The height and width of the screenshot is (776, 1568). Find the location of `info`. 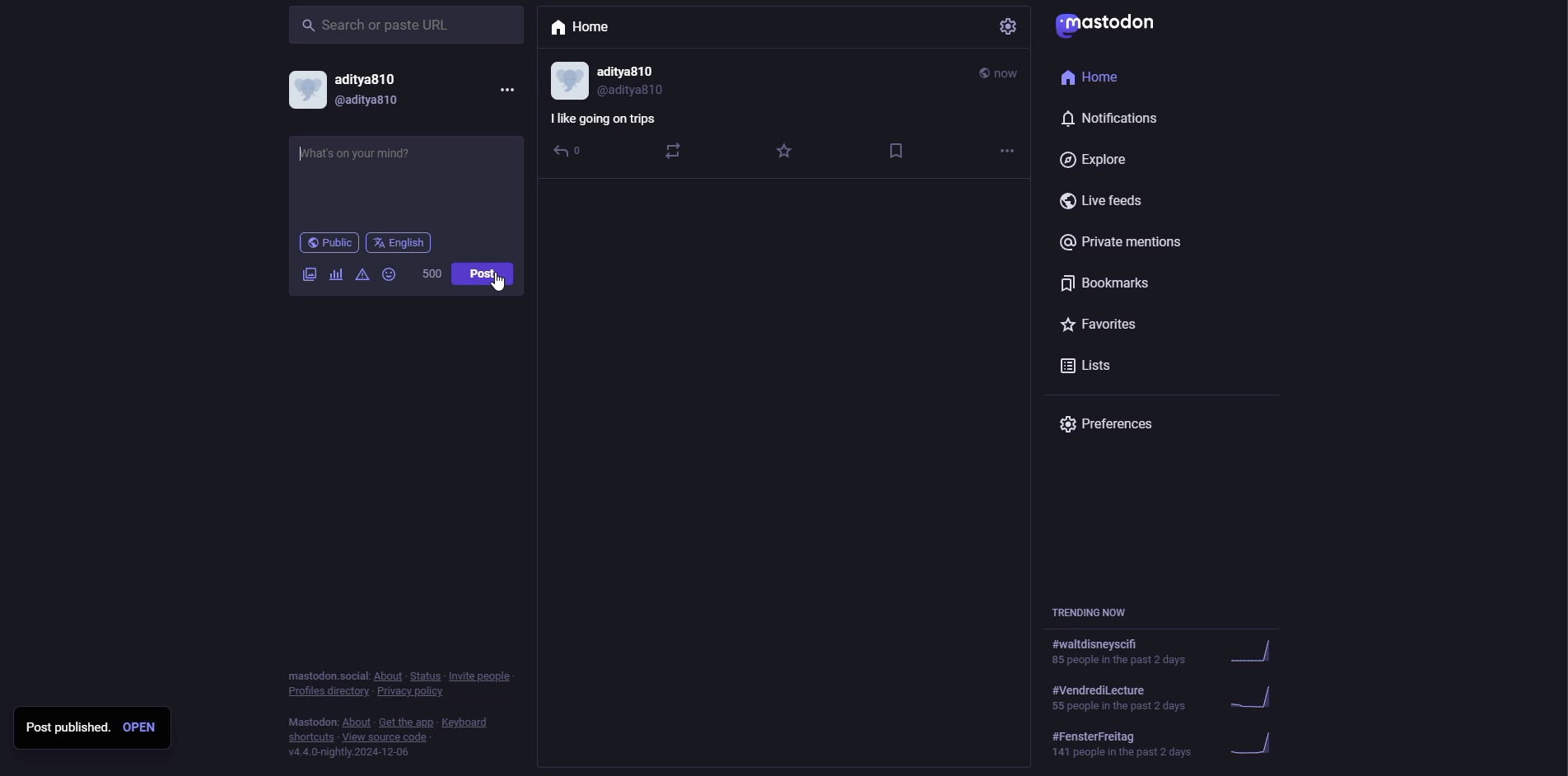

info is located at coordinates (404, 710).